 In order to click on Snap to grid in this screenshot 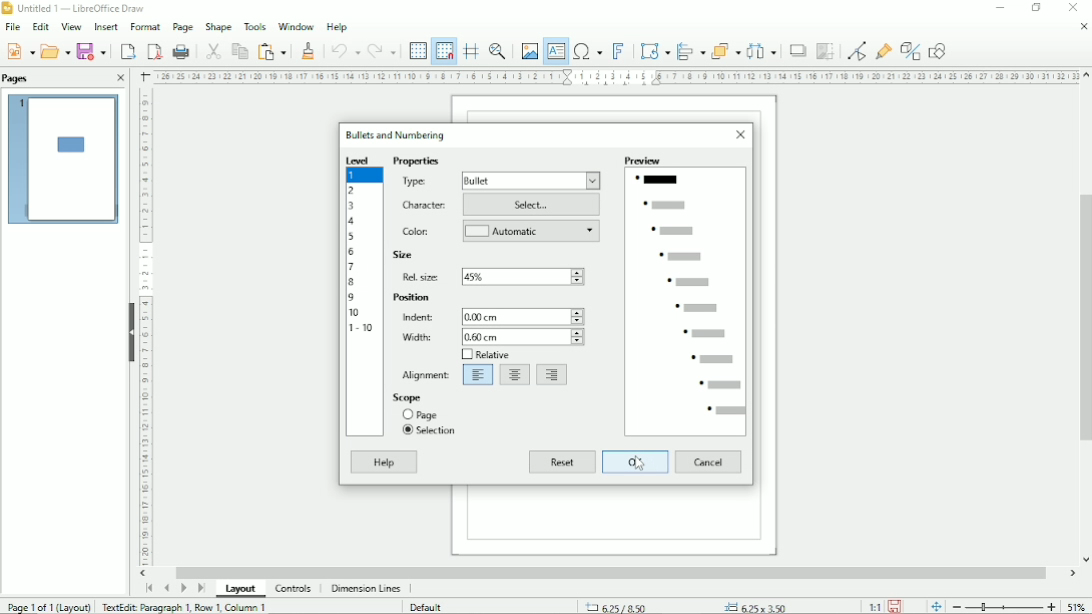, I will do `click(443, 51)`.